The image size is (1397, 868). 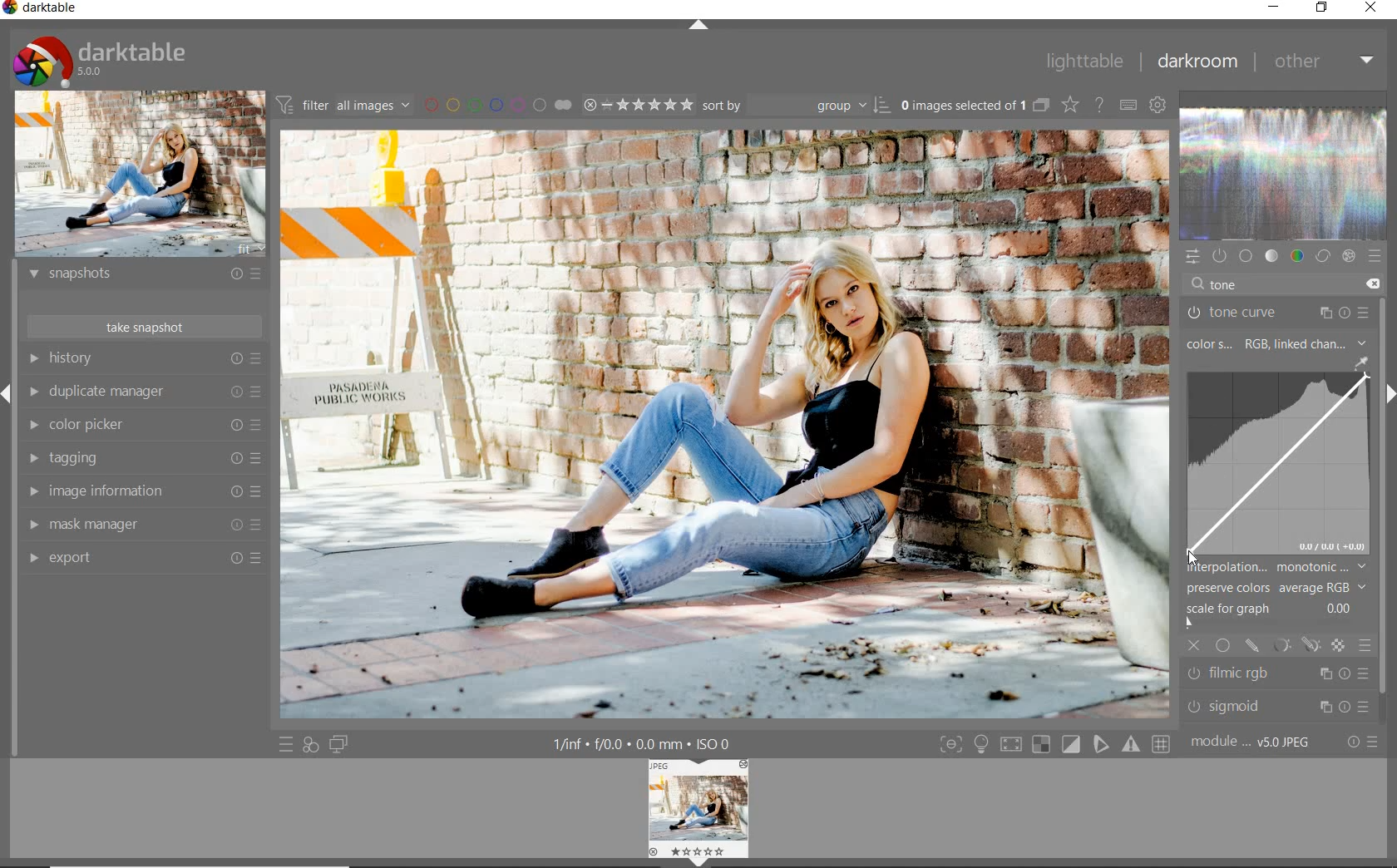 What do you see at coordinates (1278, 465) in the screenshot?
I see `tone curve map` at bounding box center [1278, 465].